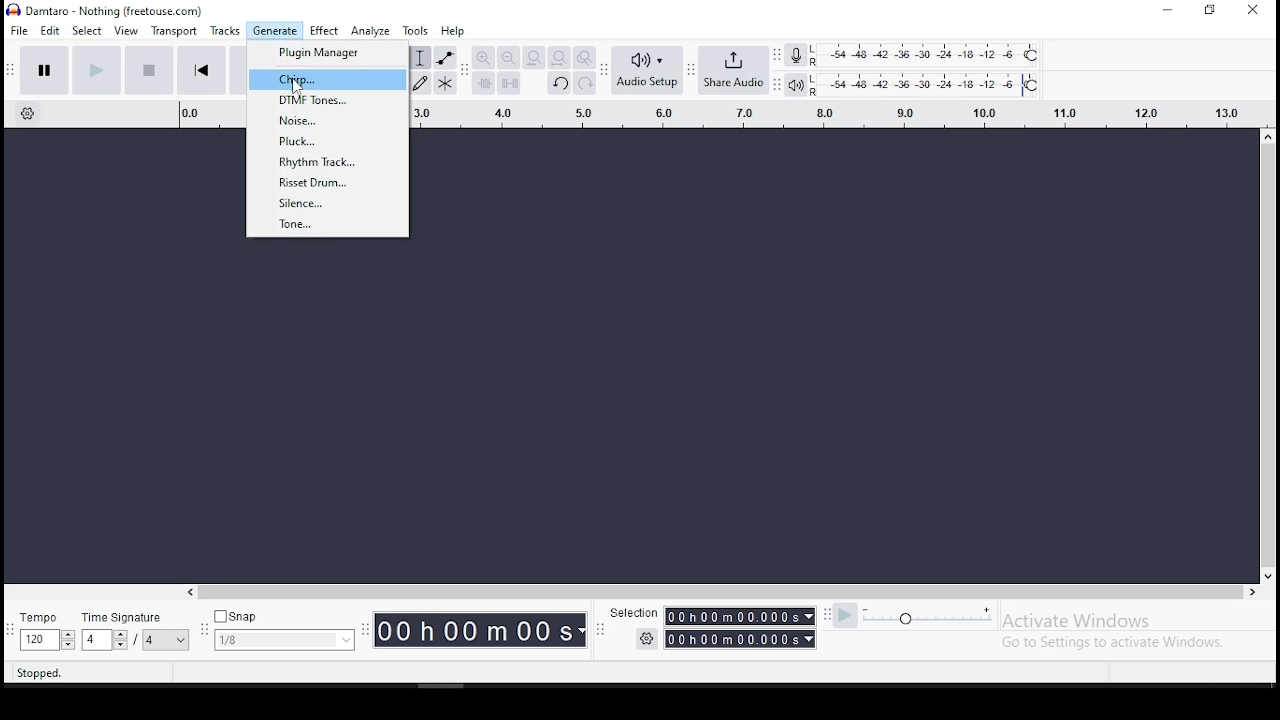  What do you see at coordinates (417, 31) in the screenshot?
I see `tools` at bounding box center [417, 31].